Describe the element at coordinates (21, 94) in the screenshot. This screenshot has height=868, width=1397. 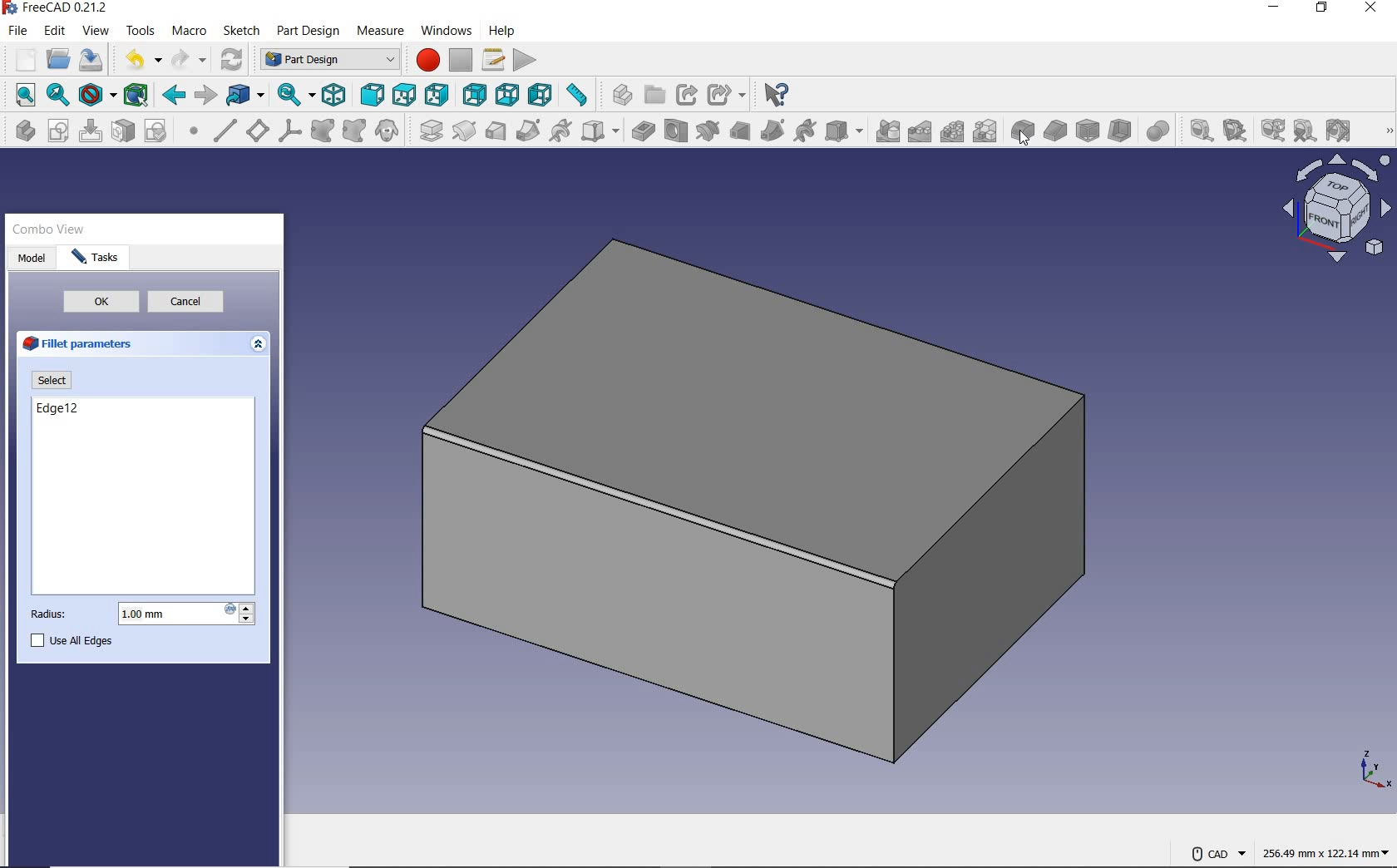
I see `fit all` at that location.